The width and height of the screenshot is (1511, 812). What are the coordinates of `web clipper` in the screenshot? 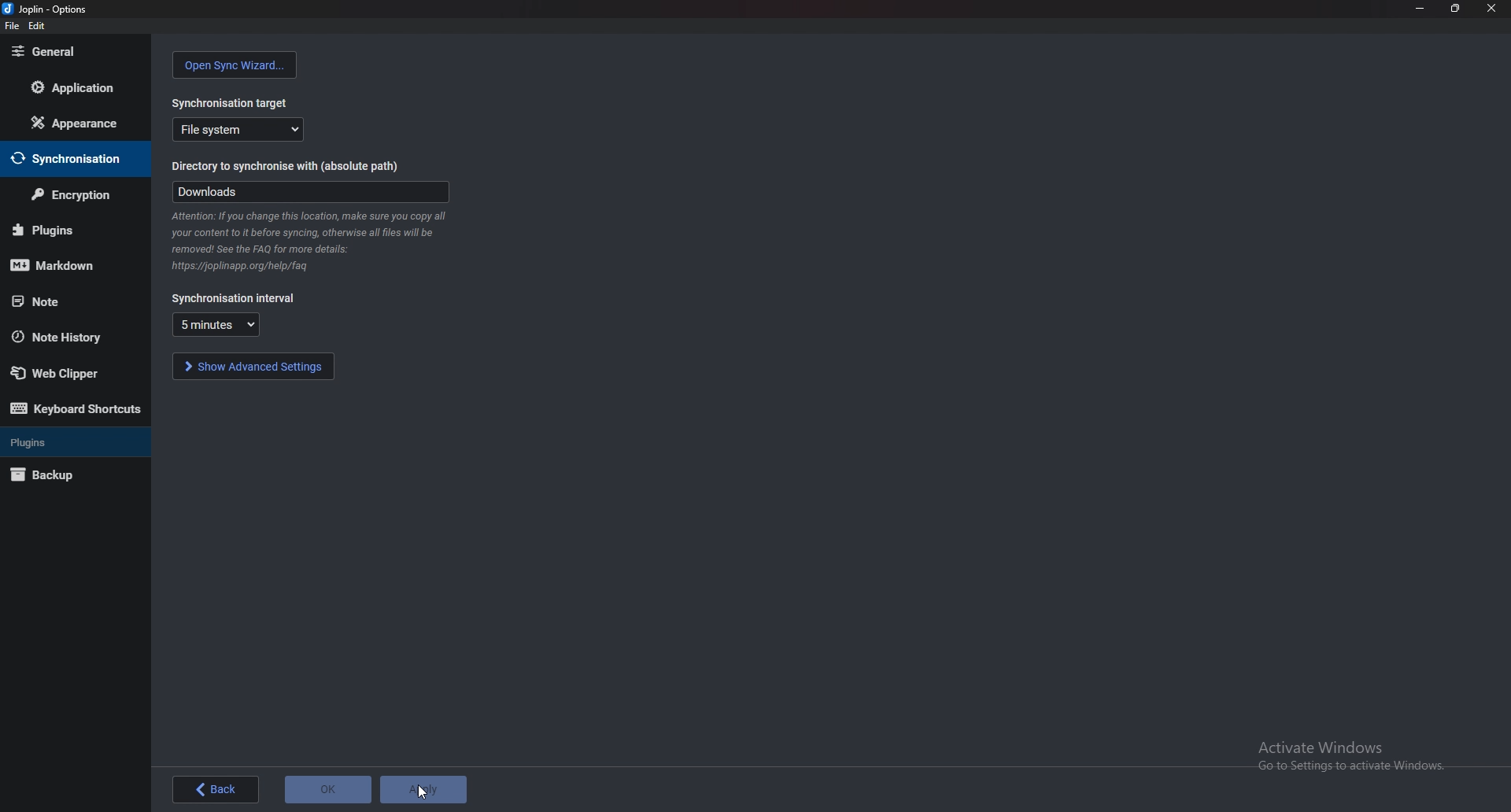 It's located at (68, 372).